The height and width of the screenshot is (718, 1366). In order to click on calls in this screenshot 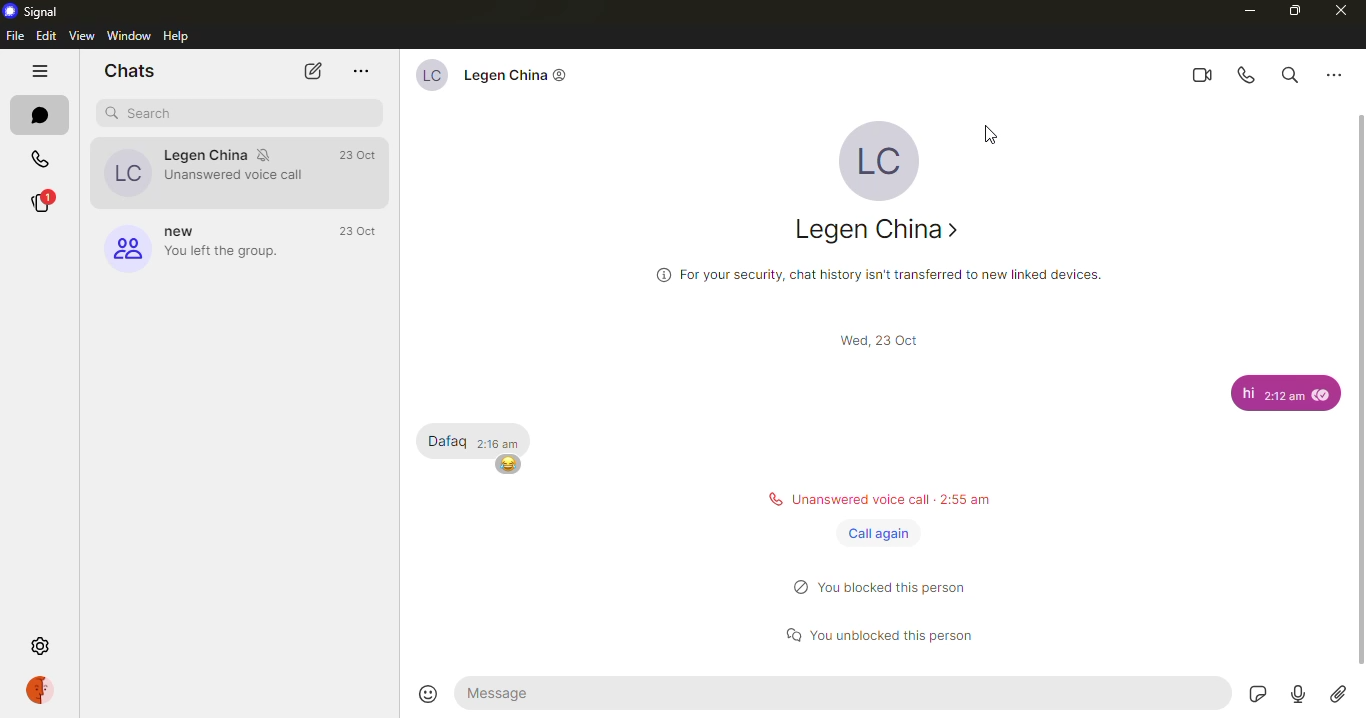, I will do `click(40, 160)`.